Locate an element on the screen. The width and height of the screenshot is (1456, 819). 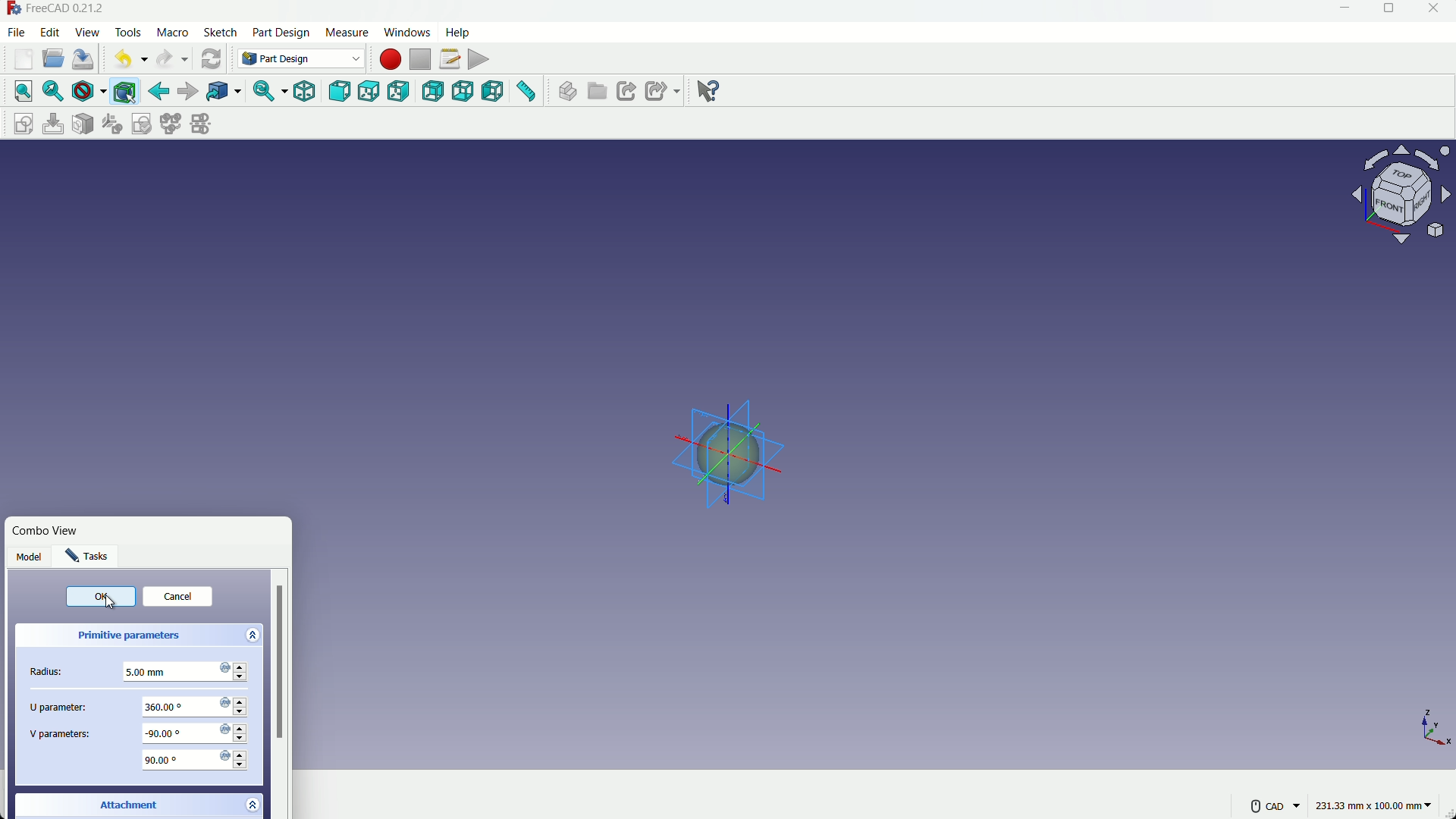
close is located at coordinates (1432, 9).